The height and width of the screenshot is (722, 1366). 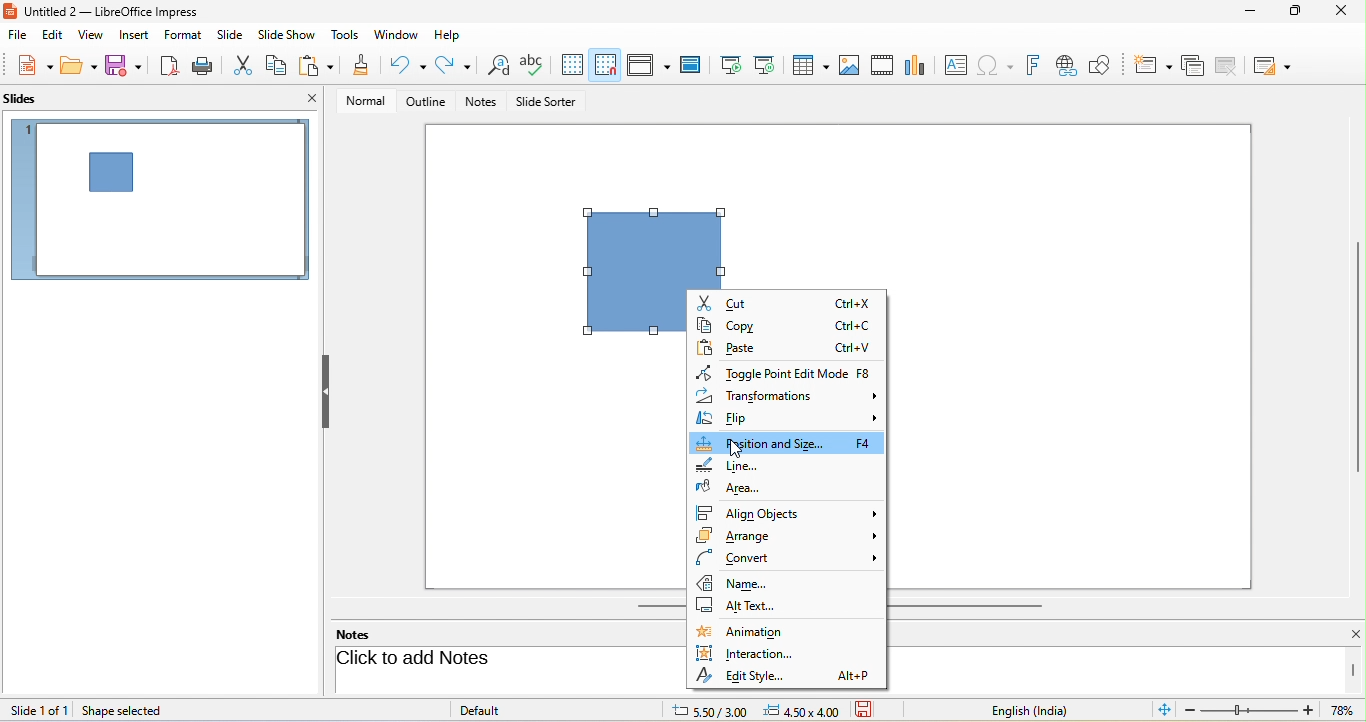 I want to click on shape selected, so click(x=654, y=245).